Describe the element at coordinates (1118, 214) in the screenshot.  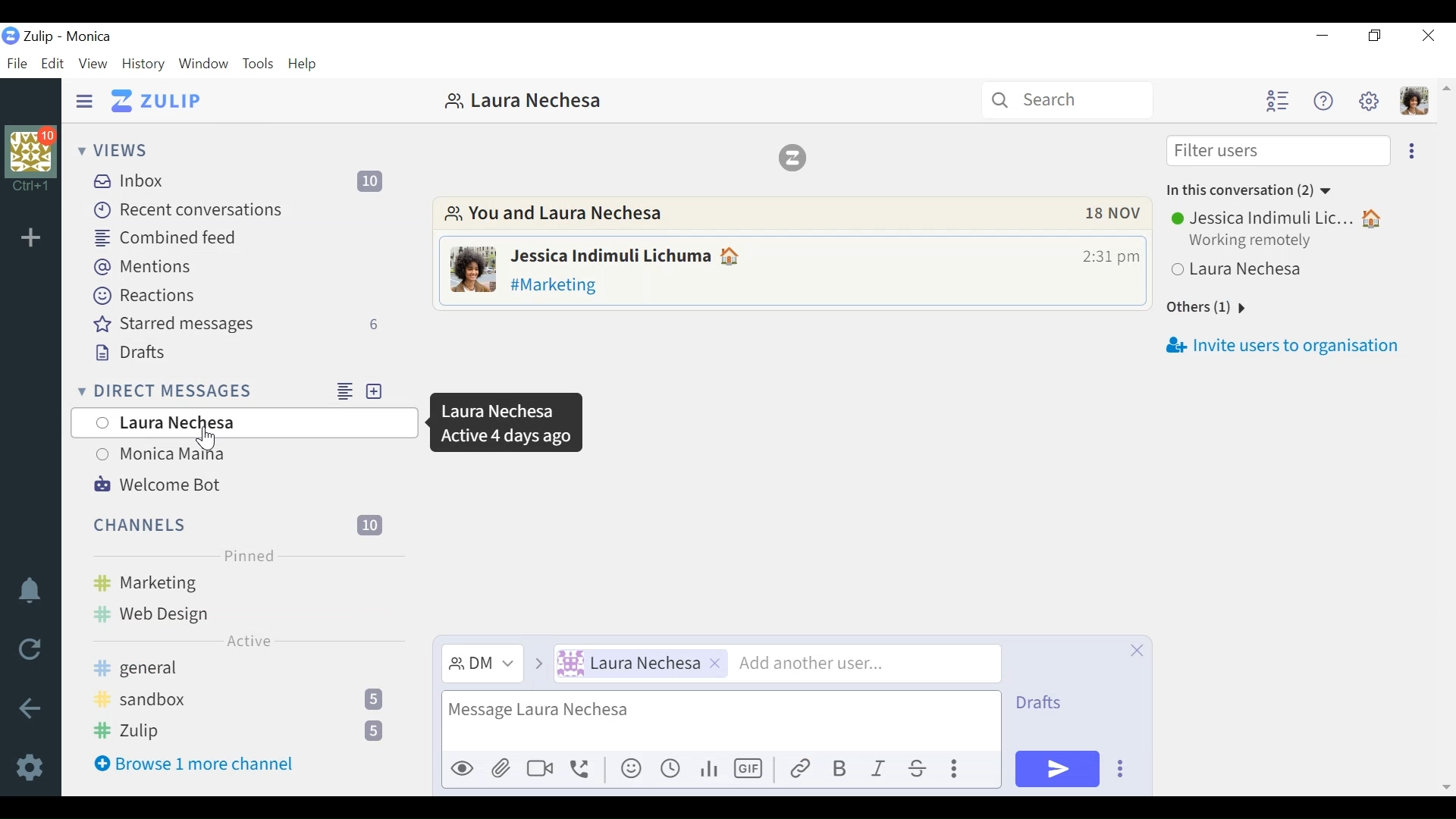
I see `Date` at that location.